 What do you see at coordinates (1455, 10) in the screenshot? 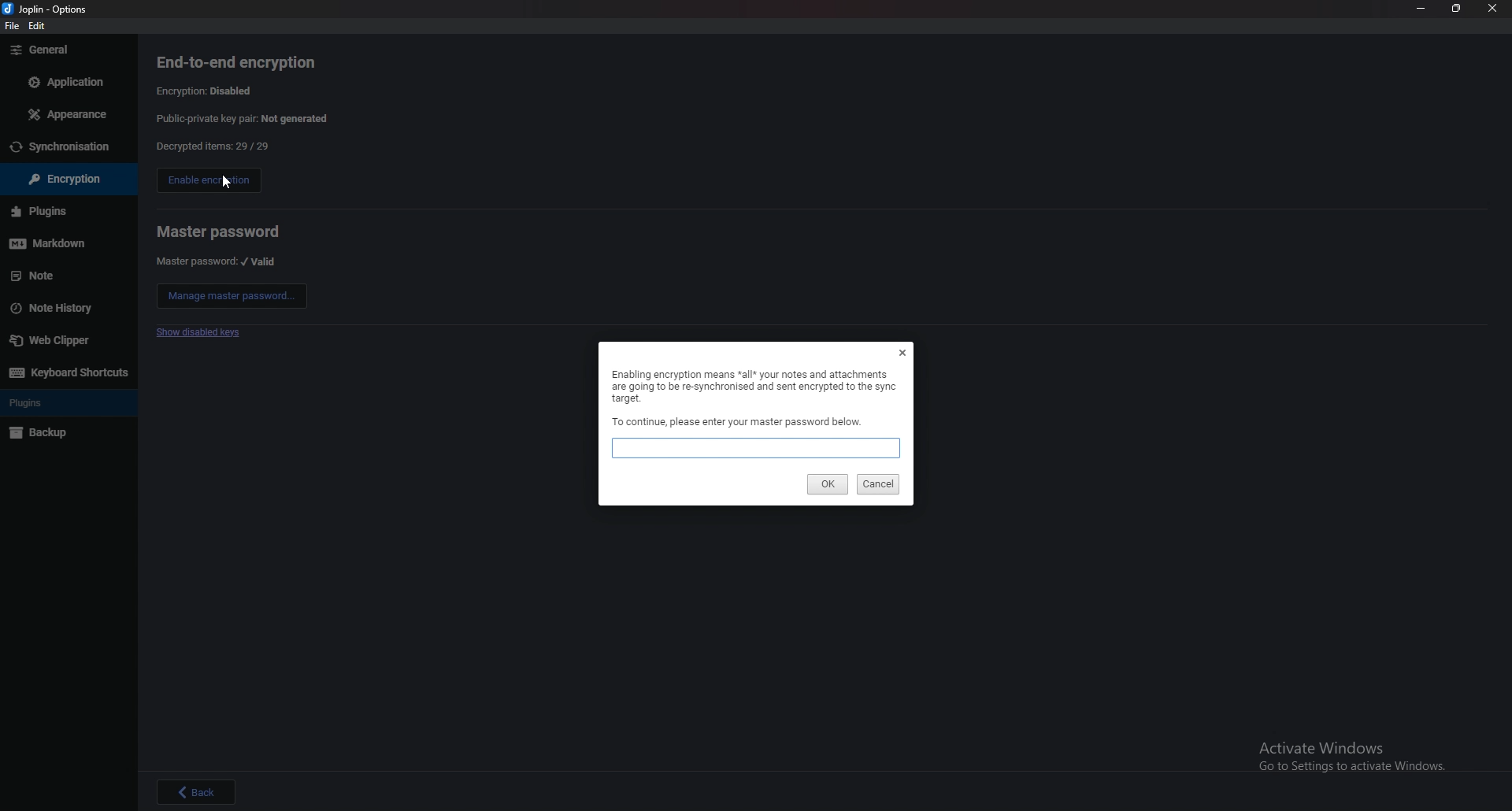
I see `` at bounding box center [1455, 10].